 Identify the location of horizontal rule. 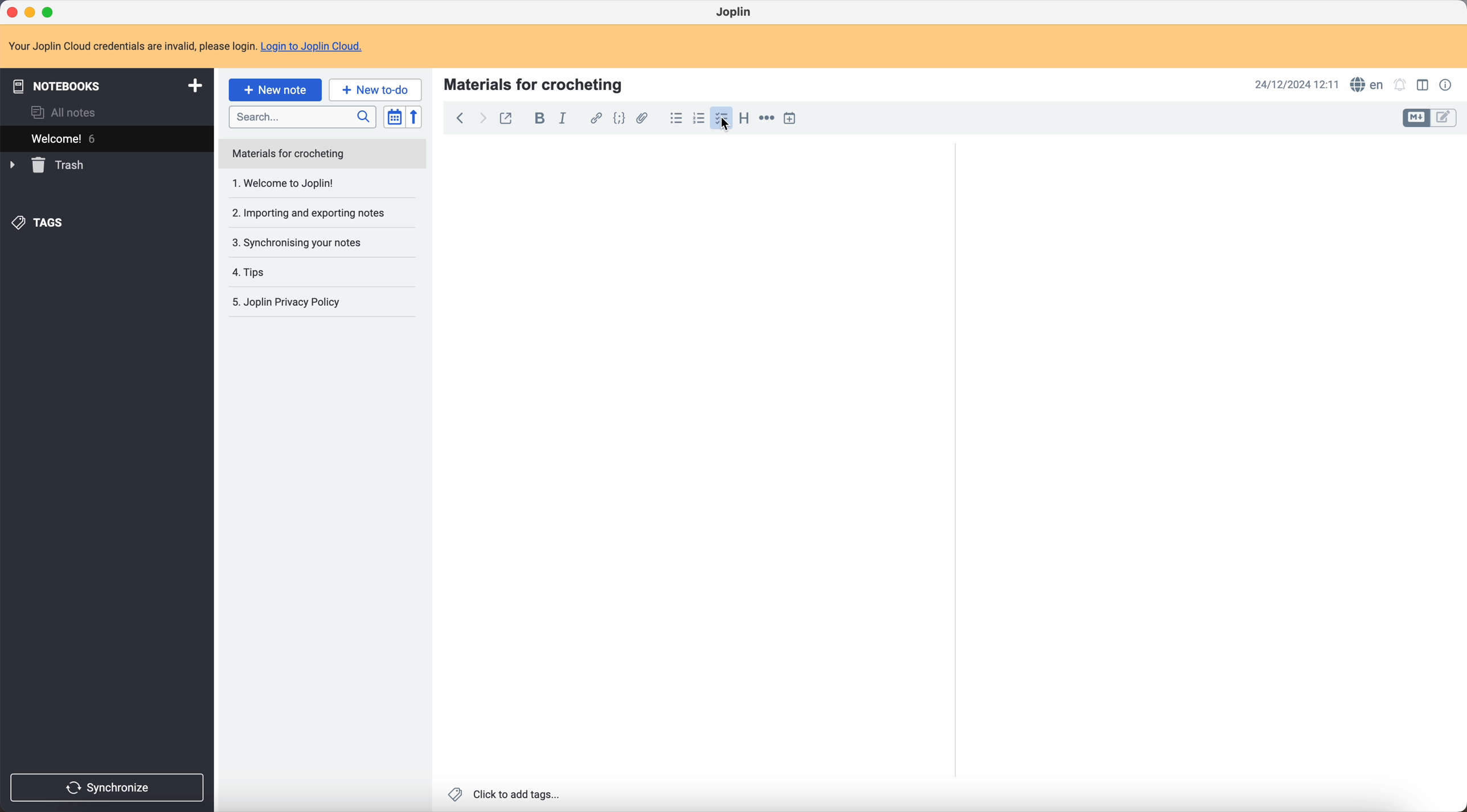
(766, 120).